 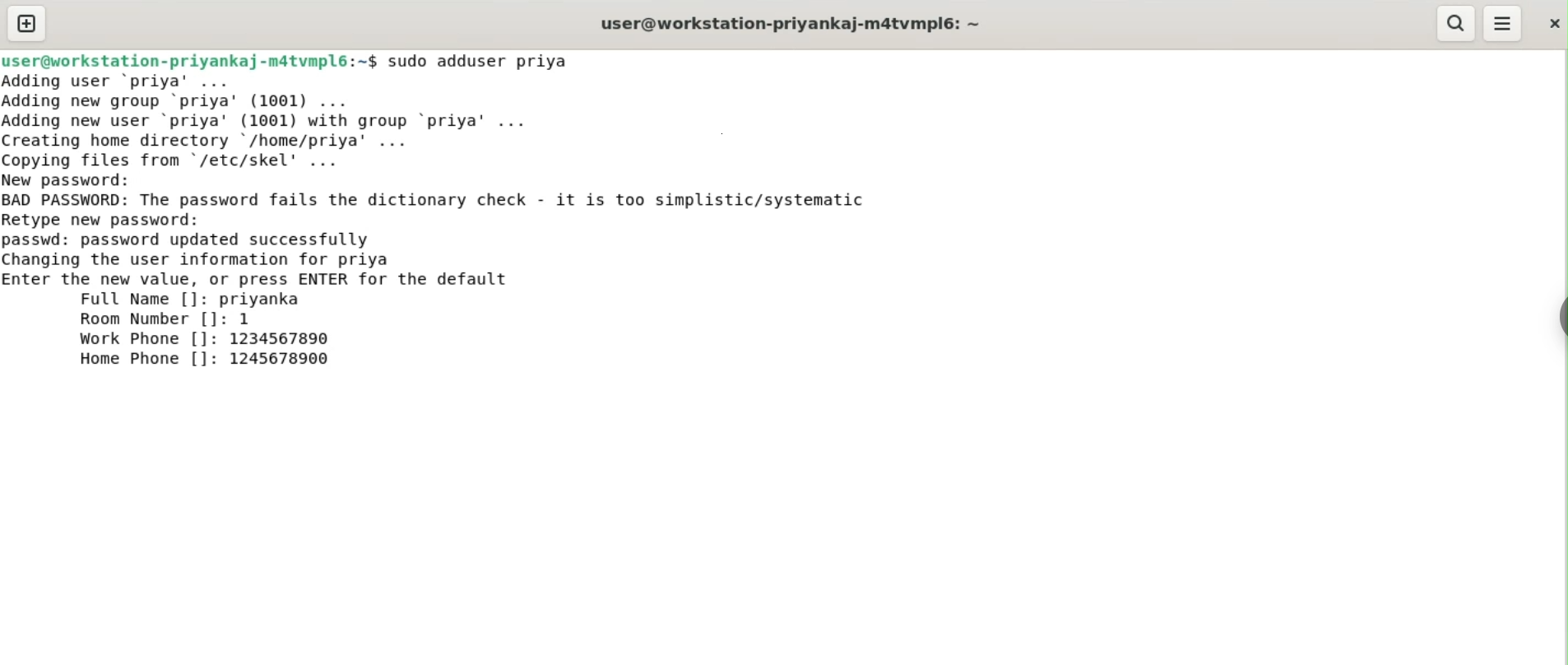 I want to click on new tab, so click(x=26, y=23).